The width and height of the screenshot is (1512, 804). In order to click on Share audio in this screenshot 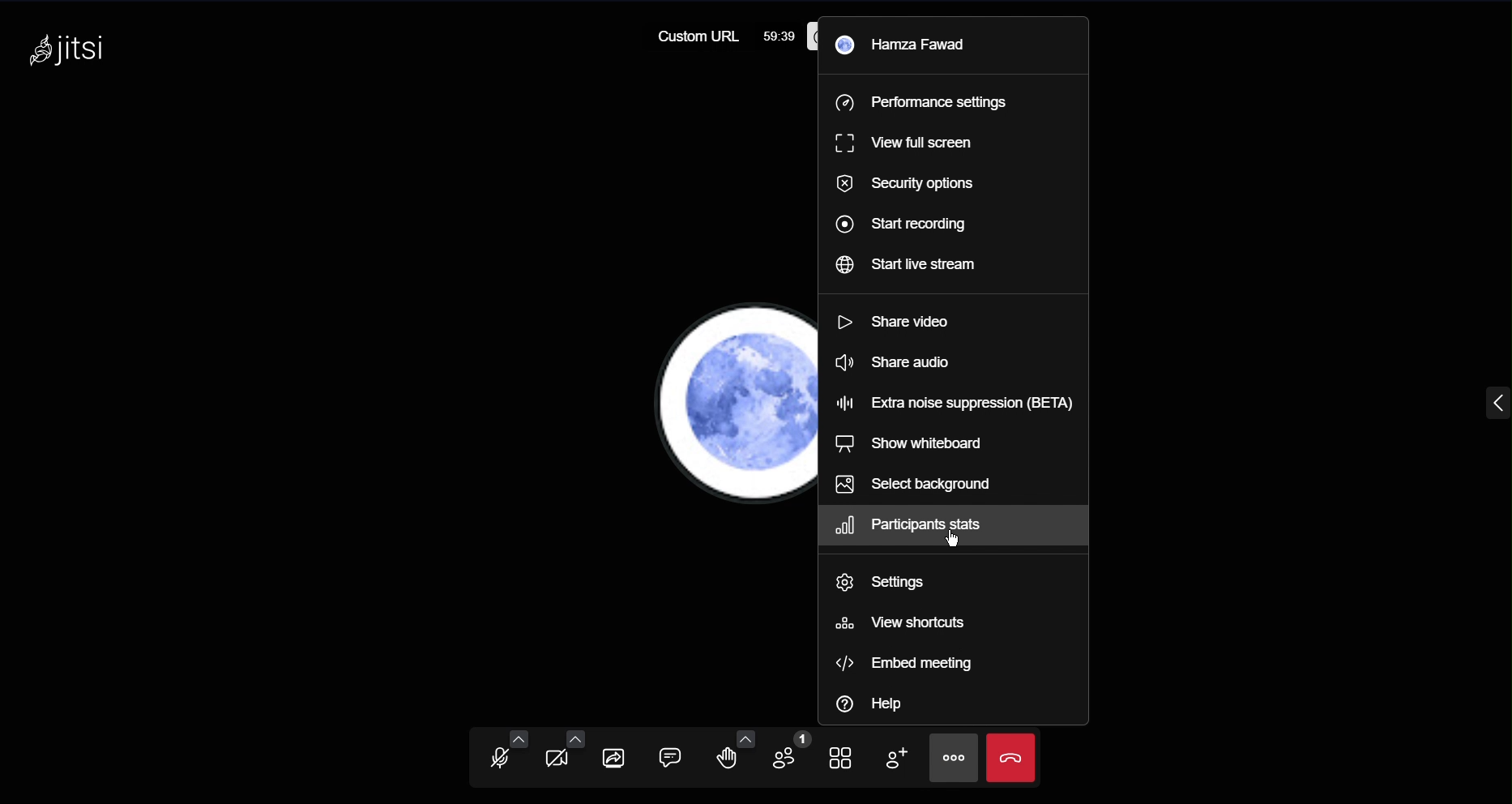, I will do `click(898, 365)`.